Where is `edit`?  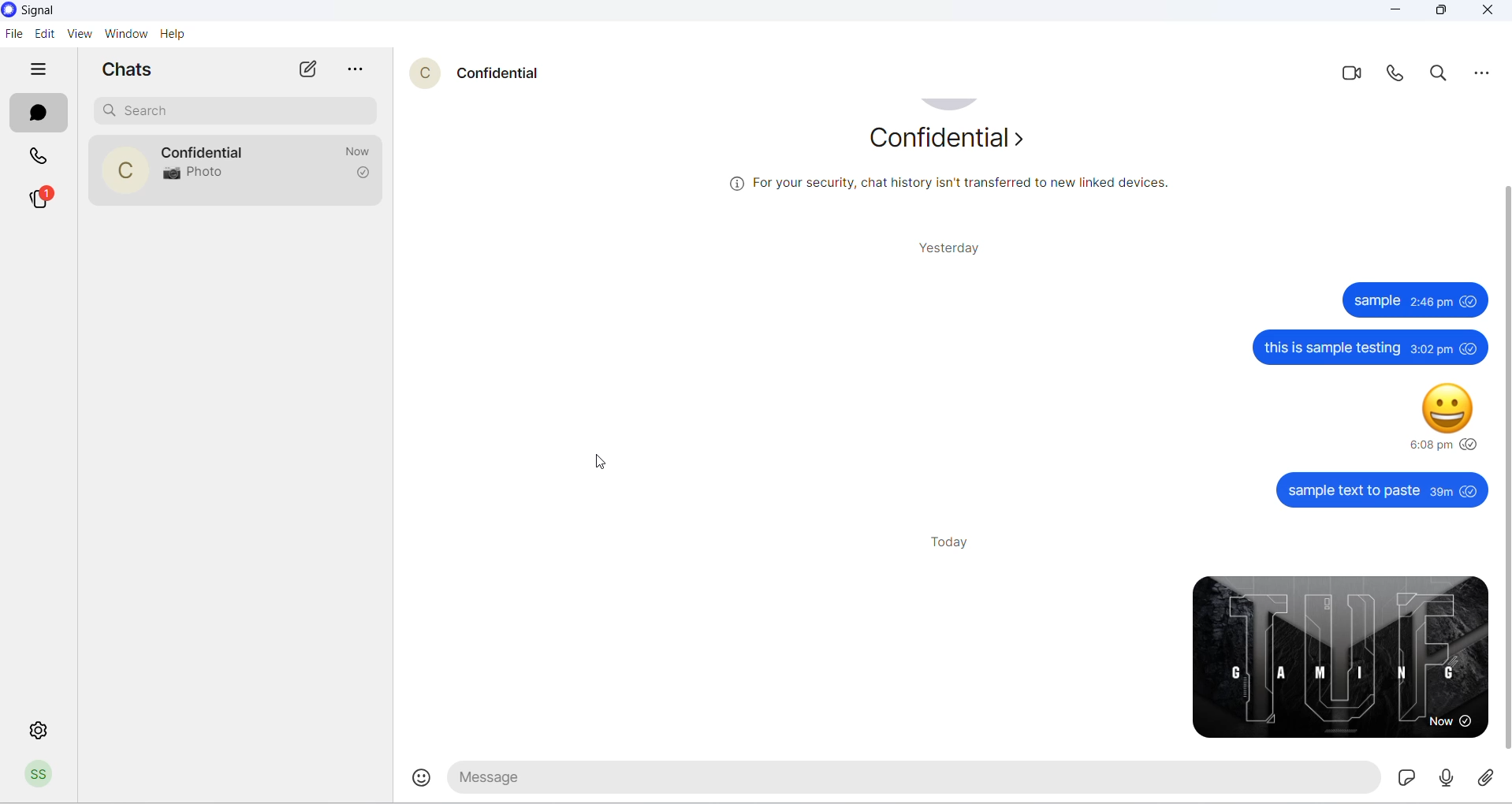 edit is located at coordinates (42, 33).